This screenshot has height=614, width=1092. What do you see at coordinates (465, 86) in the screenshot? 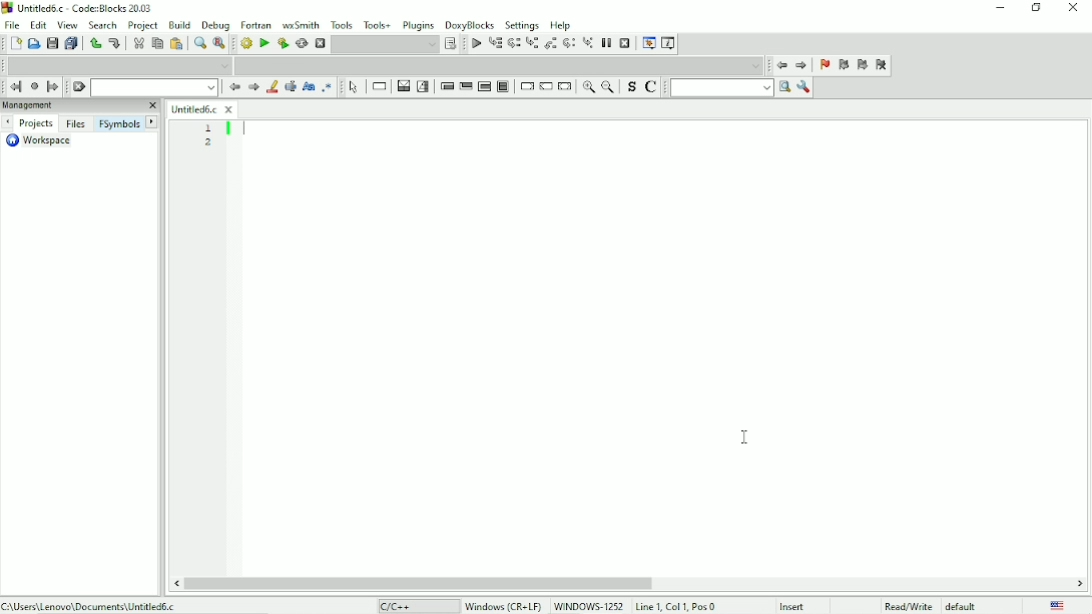
I see `Exit-condition loop` at bounding box center [465, 86].